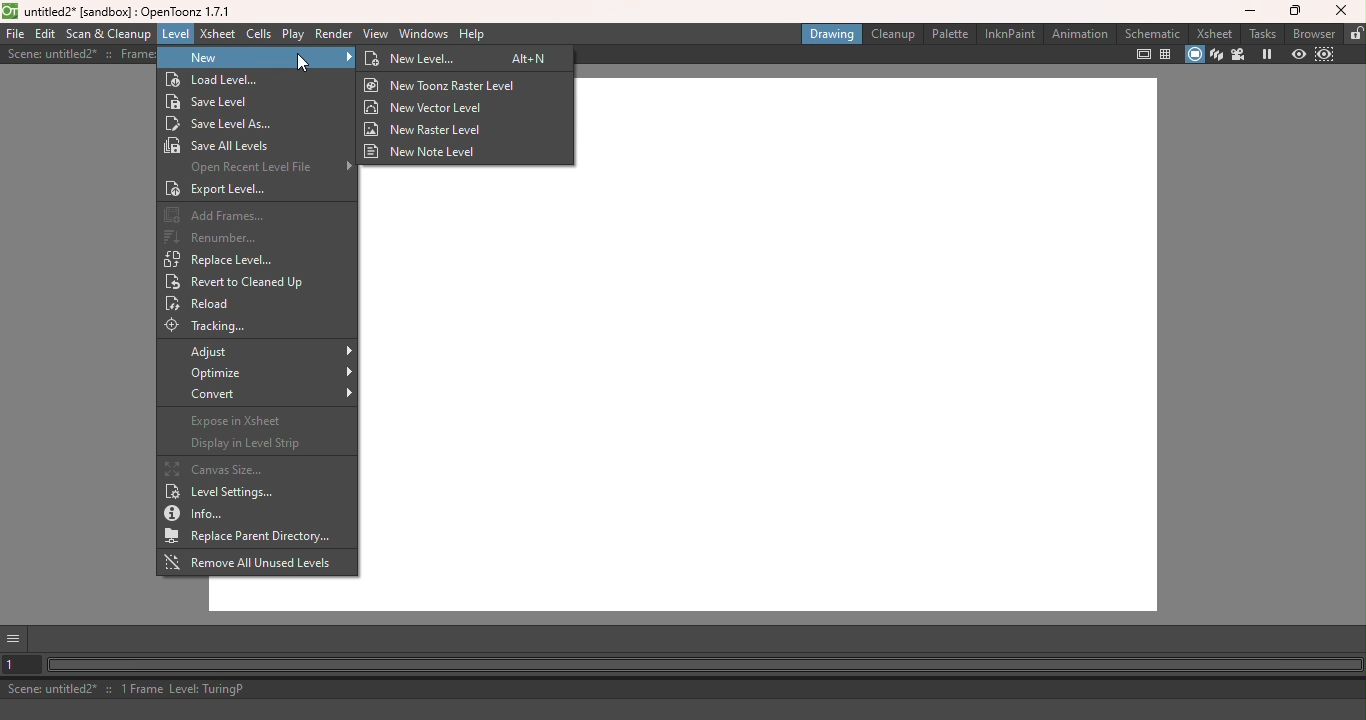 The width and height of the screenshot is (1366, 720). What do you see at coordinates (1313, 33) in the screenshot?
I see `Browser` at bounding box center [1313, 33].